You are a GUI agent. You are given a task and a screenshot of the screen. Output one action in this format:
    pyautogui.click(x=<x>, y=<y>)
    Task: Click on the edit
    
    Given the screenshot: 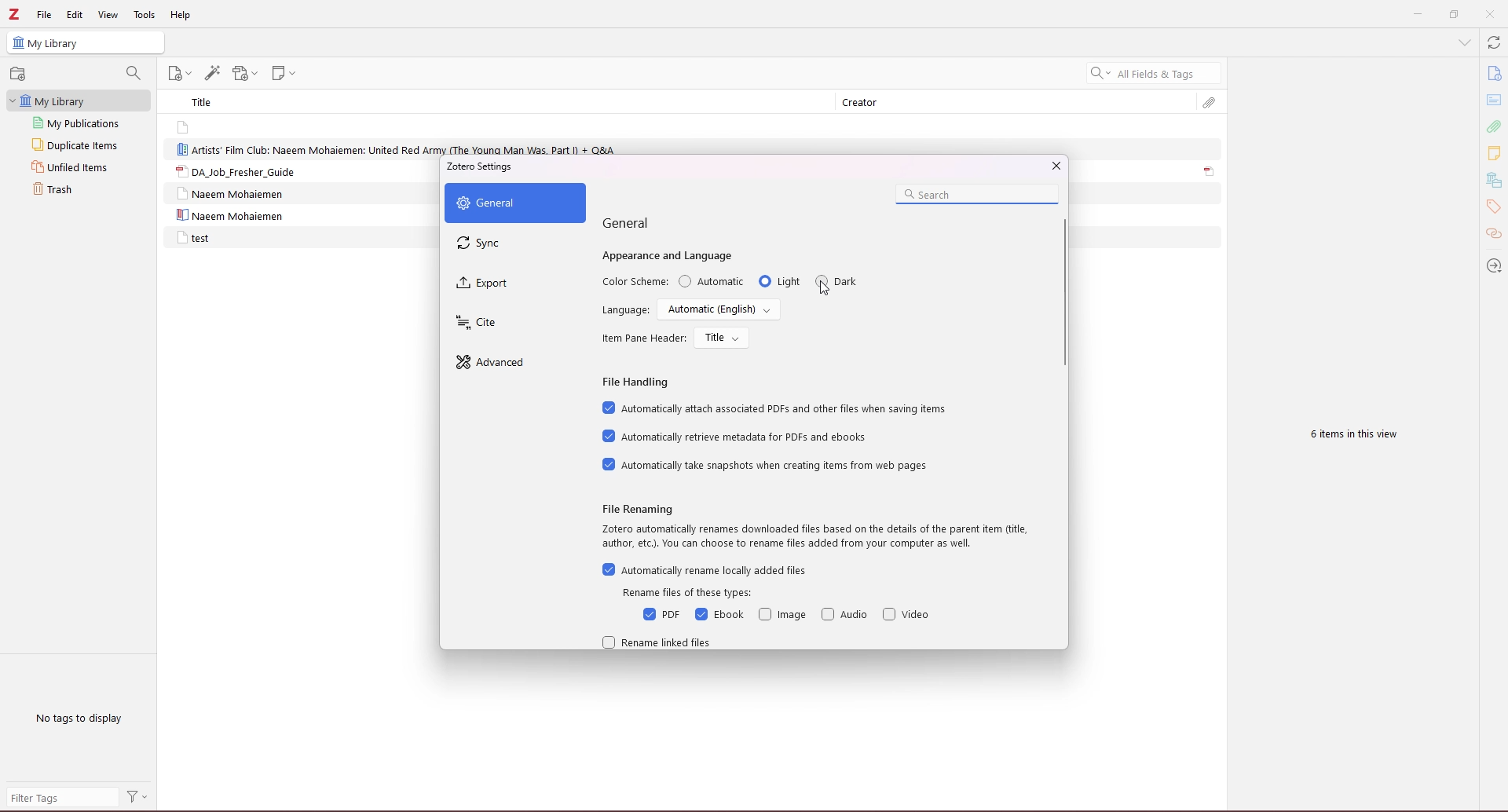 What is the action you would take?
    pyautogui.click(x=75, y=14)
    